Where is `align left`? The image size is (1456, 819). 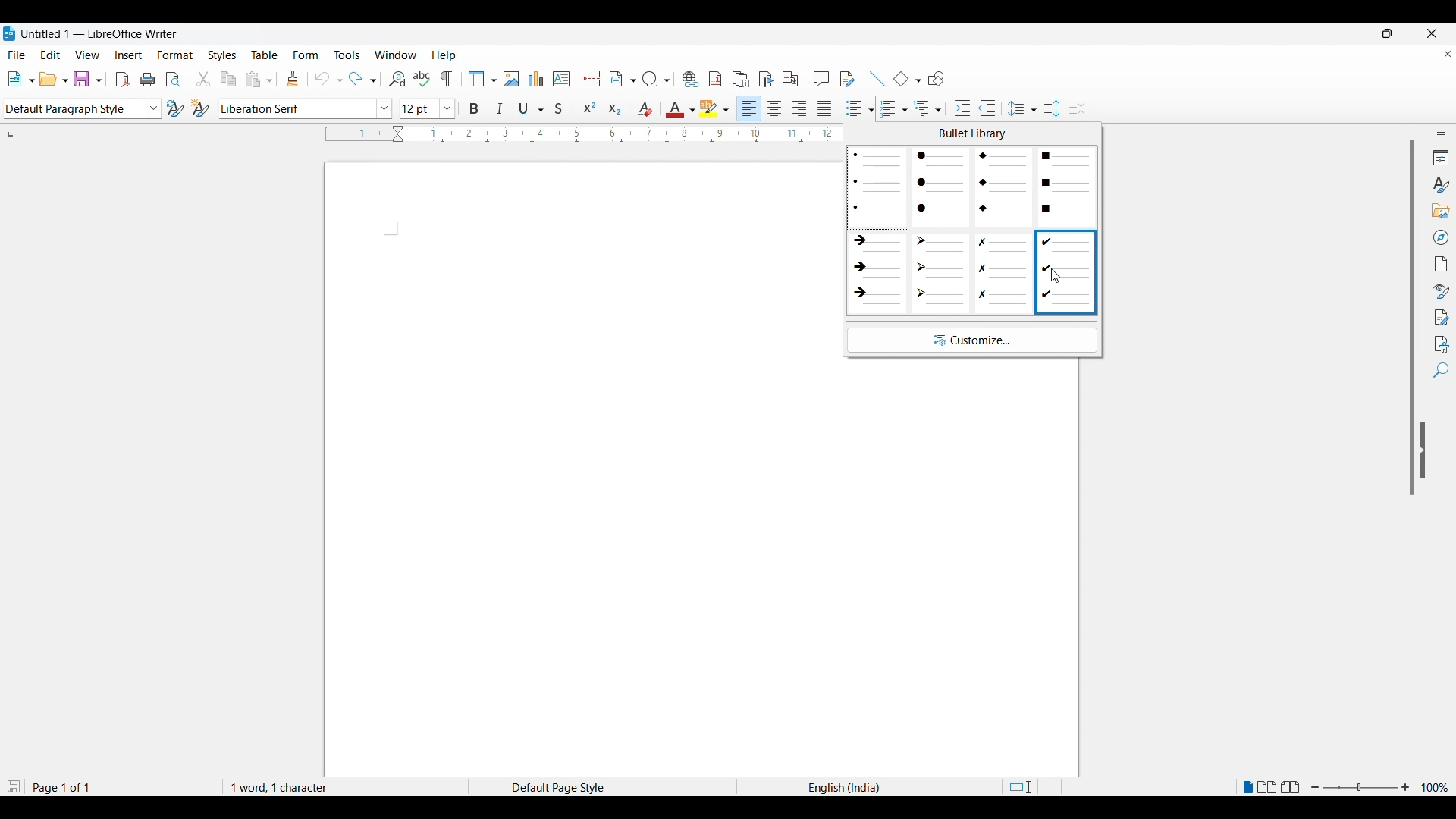
align left is located at coordinates (748, 106).